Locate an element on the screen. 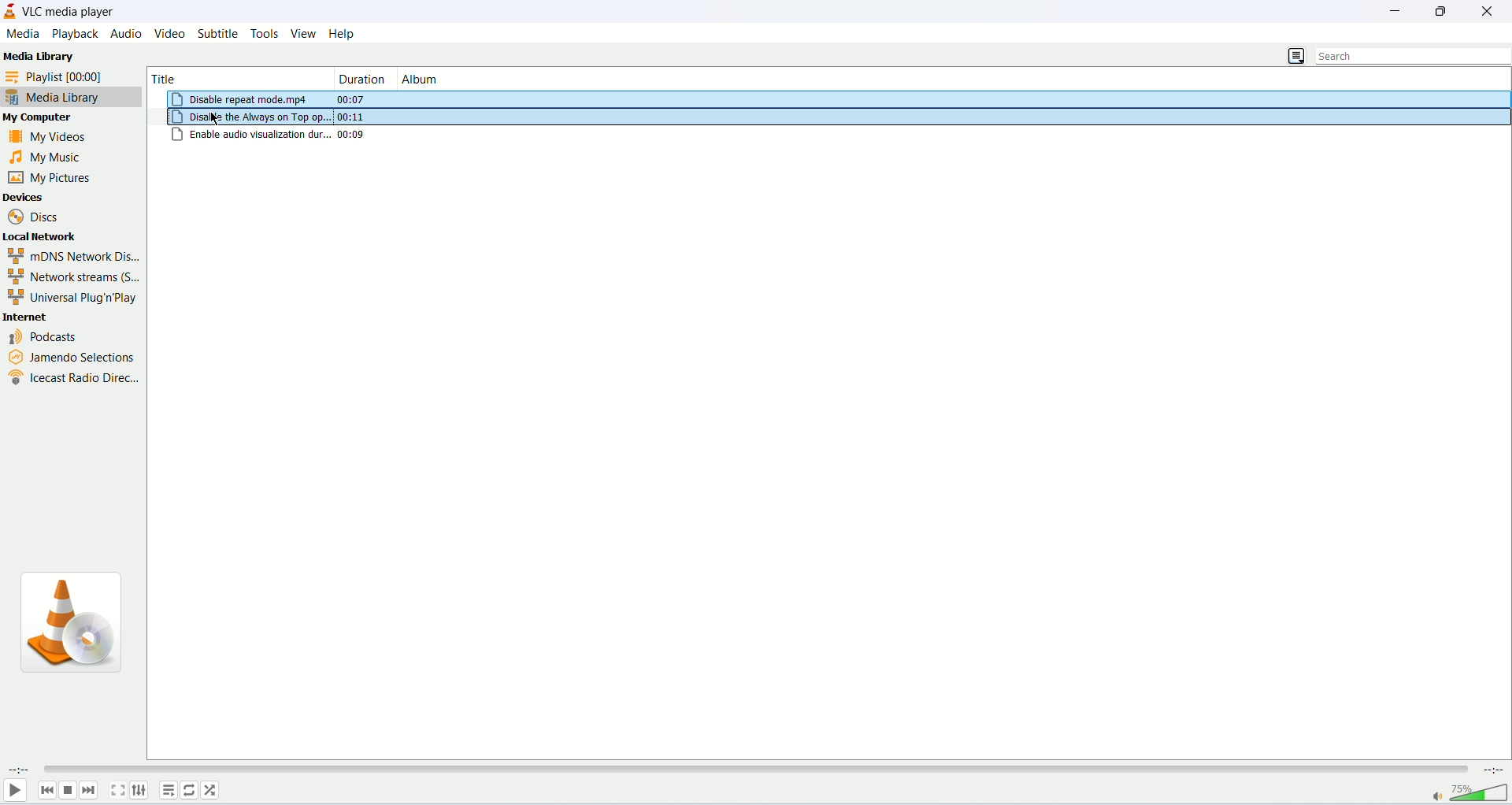  Universal Plug n Play is located at coordinates (69, 298).